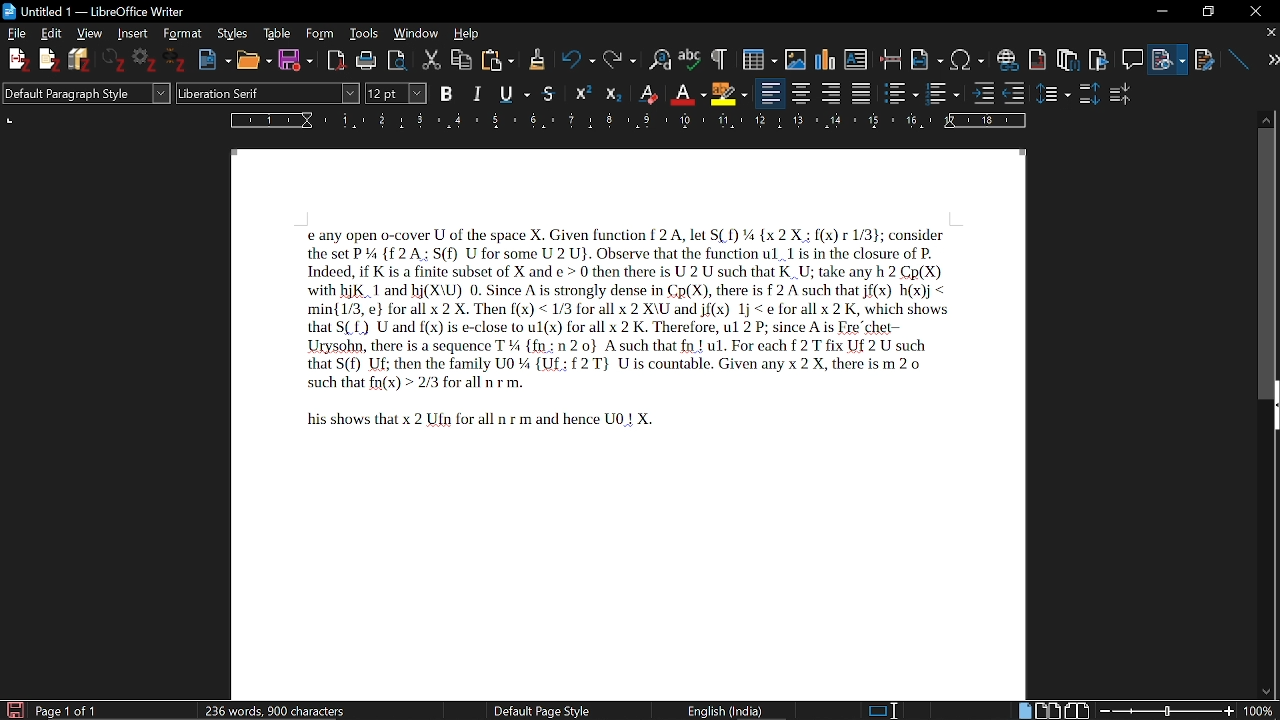  What do you see at coordinates (1088, 93) in the screenshot?
I see `increase paragraph space` at bounding box center [1088, 93].